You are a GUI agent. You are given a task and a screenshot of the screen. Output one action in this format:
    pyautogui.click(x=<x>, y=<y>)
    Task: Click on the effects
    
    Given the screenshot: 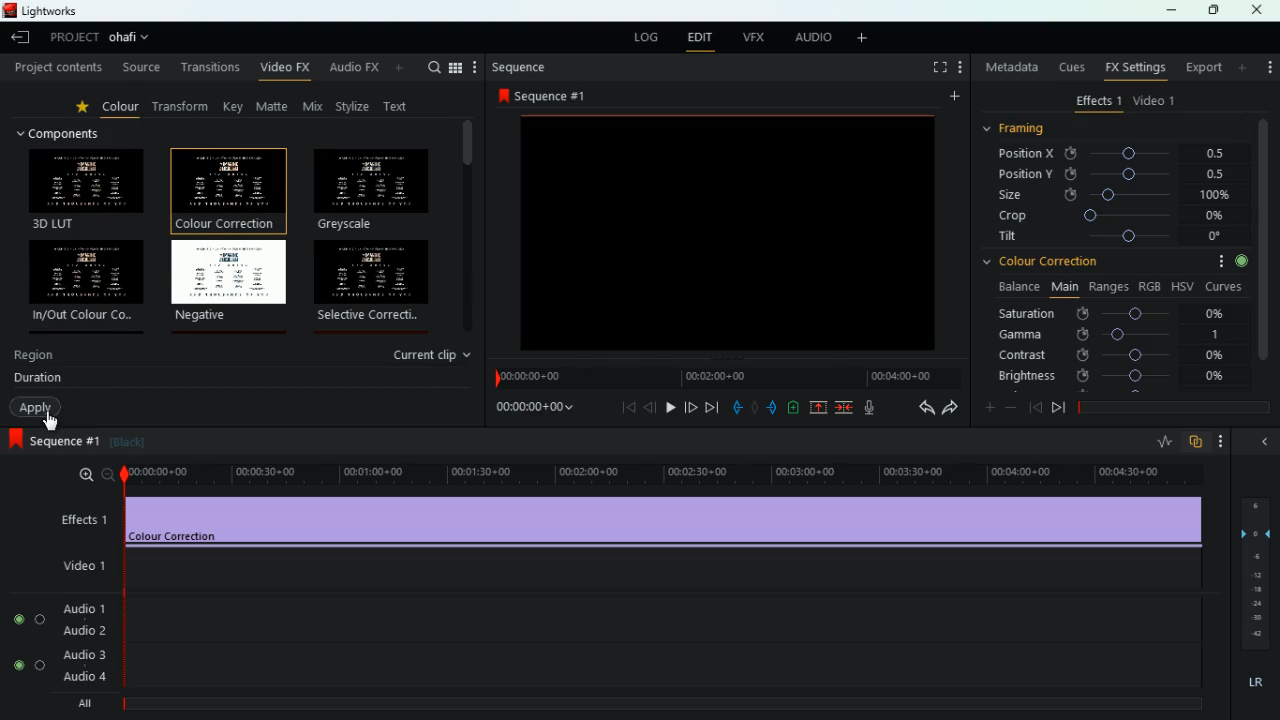 What is the action you would take?
    pyautogui.click(x=1099, y=101)
    